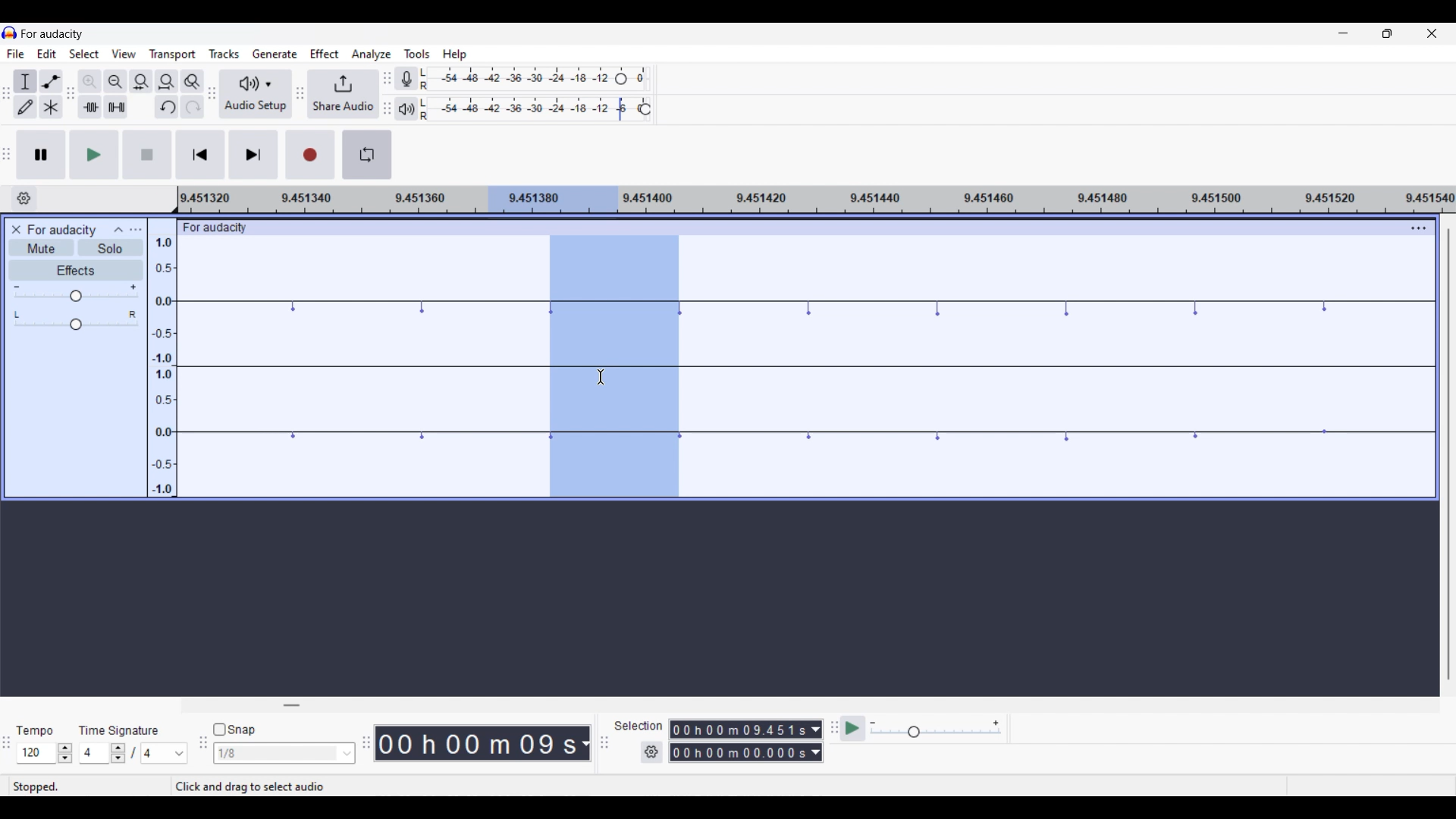 This screenshot has width=1456, height=819. What do you see at coordinates (833, 729) in the screenshot?
I see `Play at speed toolbar` at bounding box center [833, 729].